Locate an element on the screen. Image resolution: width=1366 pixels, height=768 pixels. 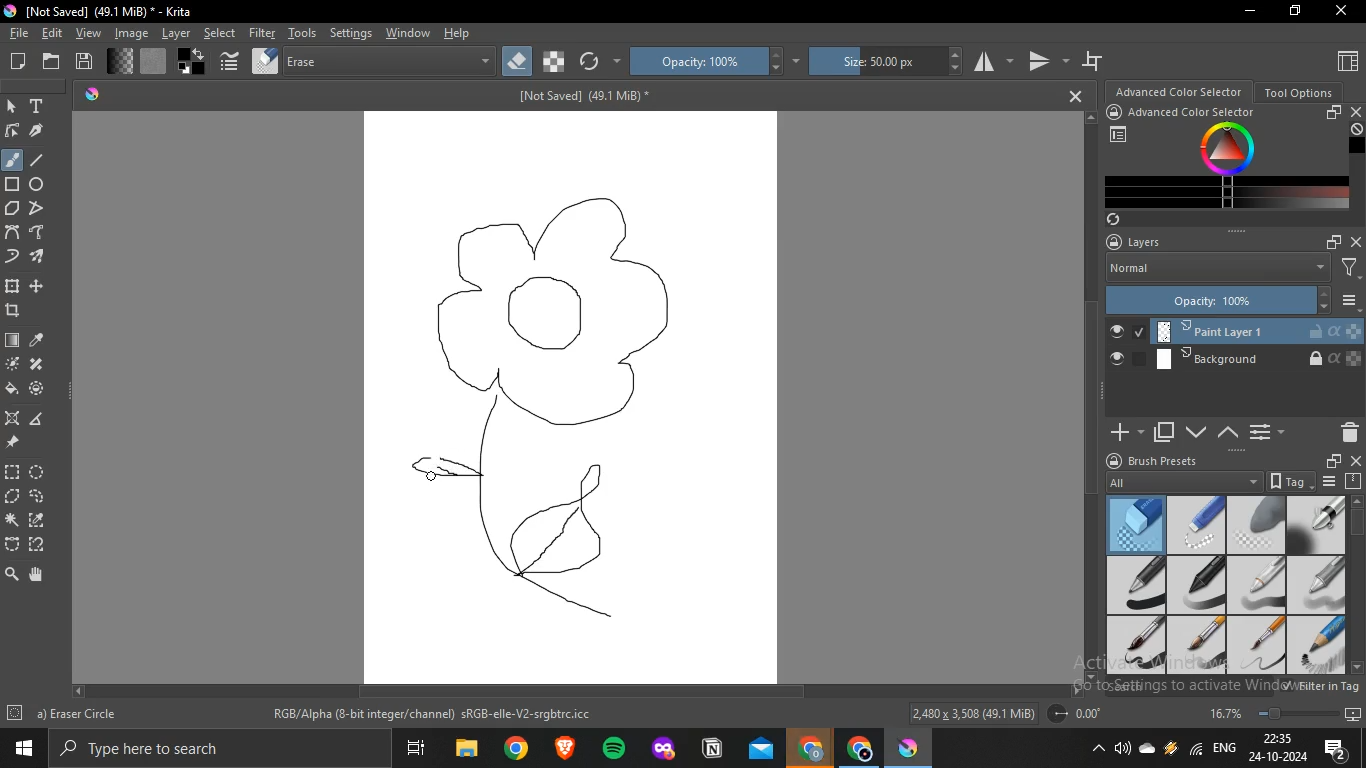
basic 5 opacity is located at coordinates (1194, 646).